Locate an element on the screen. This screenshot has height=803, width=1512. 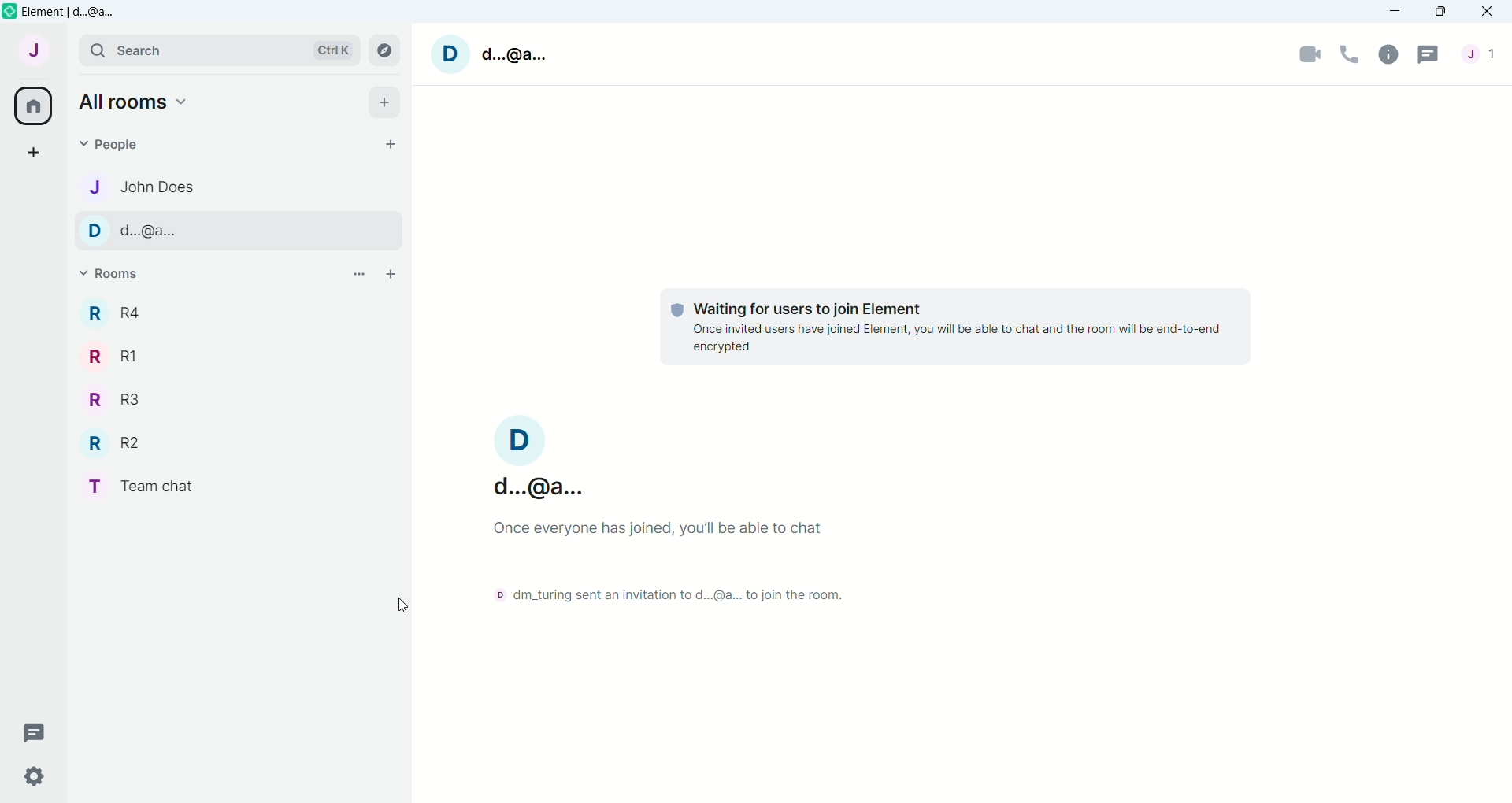
Room R2 is located at coordinates (117, 443).